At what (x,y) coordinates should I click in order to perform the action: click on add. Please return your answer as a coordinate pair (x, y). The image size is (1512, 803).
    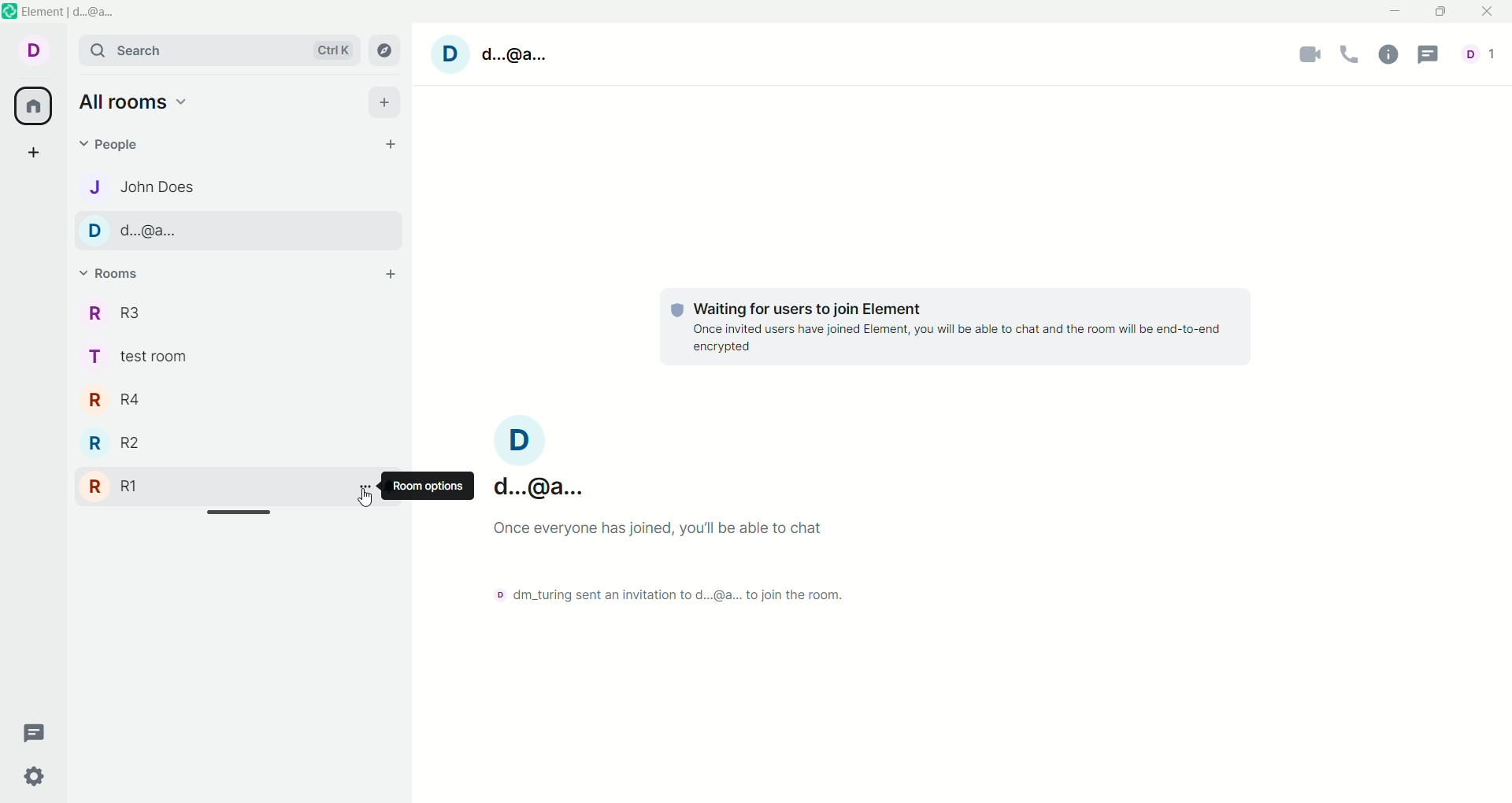
    Looking at the image, I should click on (387, 274).